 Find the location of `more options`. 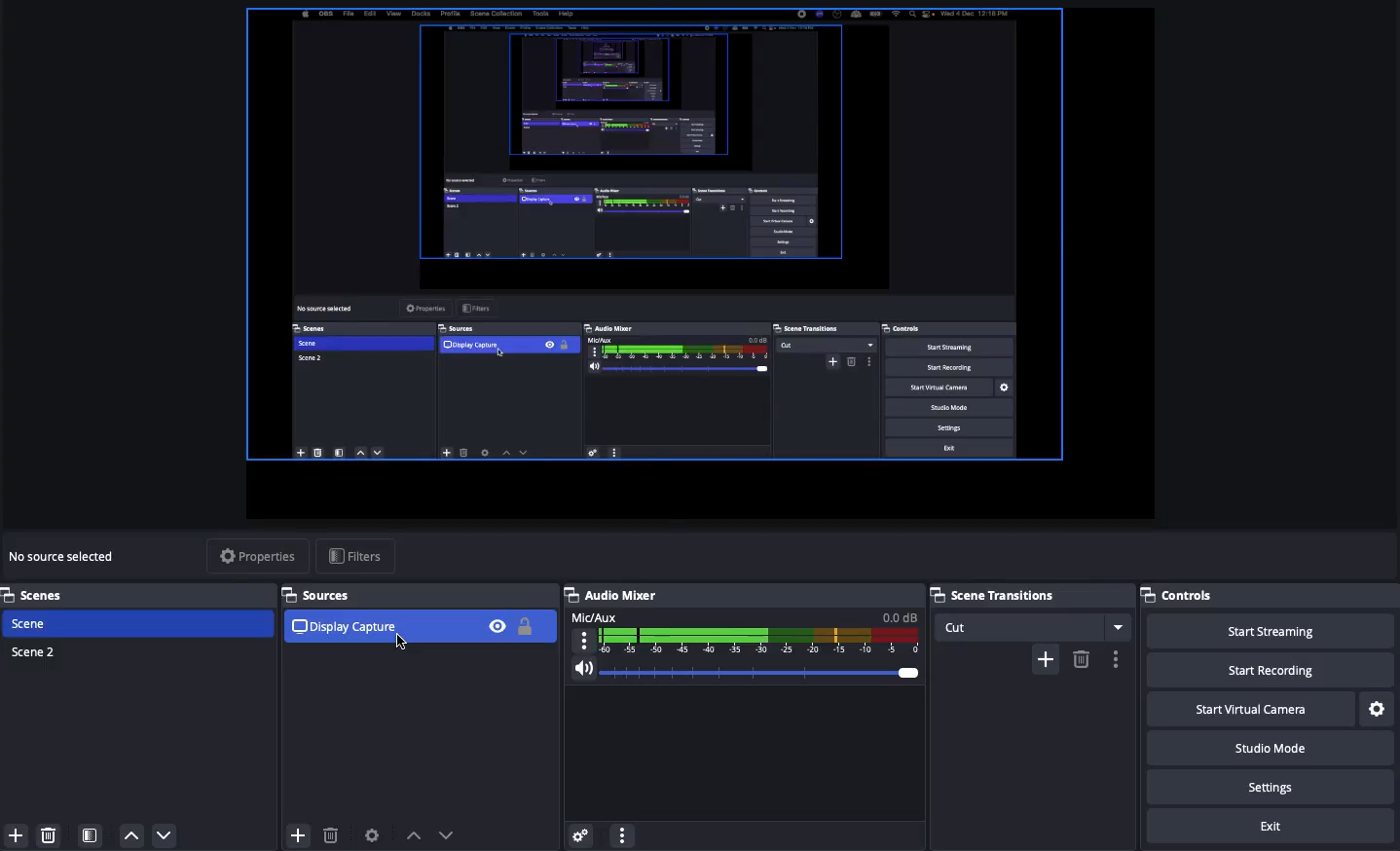

more options is located at coordinates (1119, 659).